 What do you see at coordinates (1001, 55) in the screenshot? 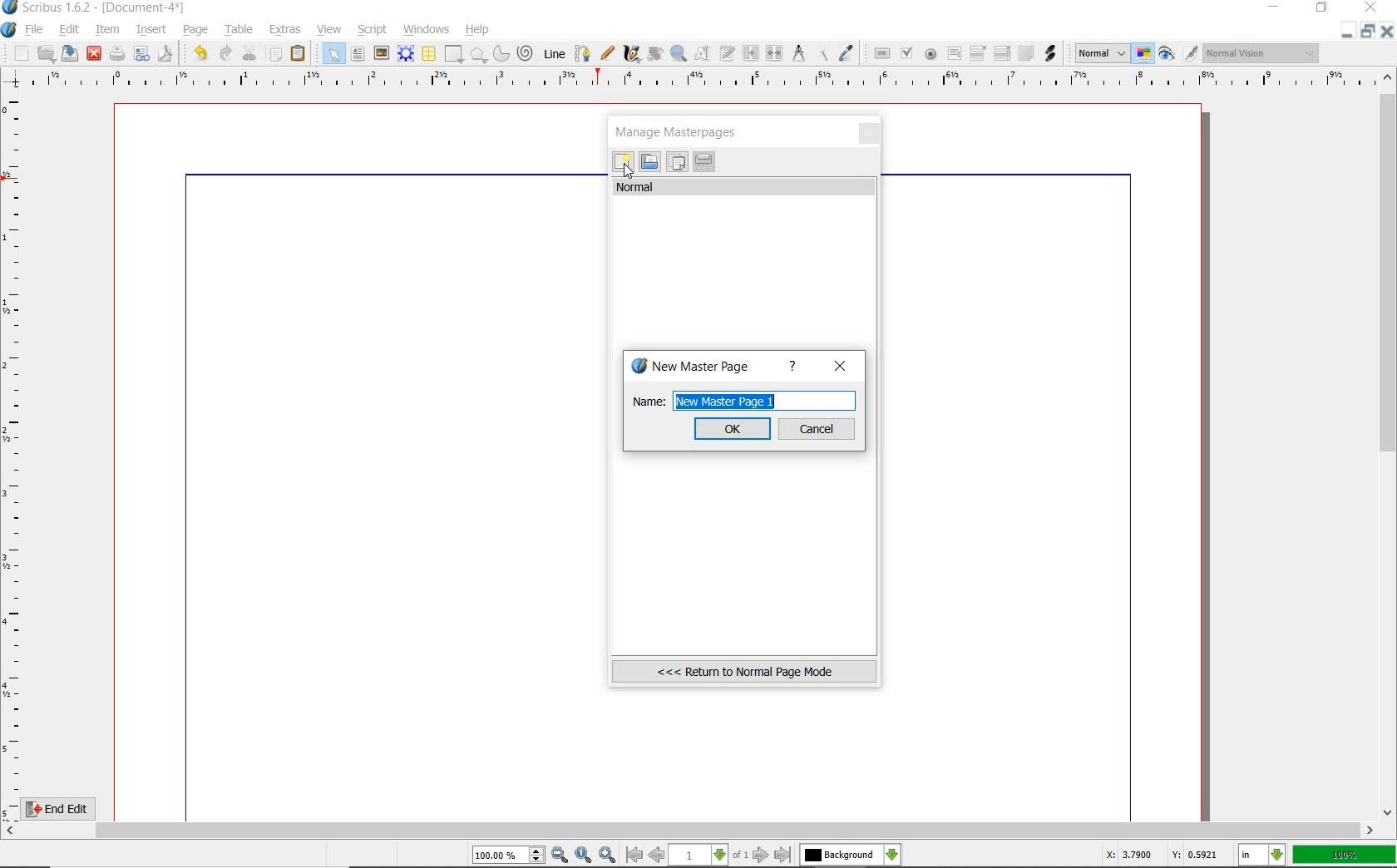
I see `pdf list box` at bounding box center [1001, 55].